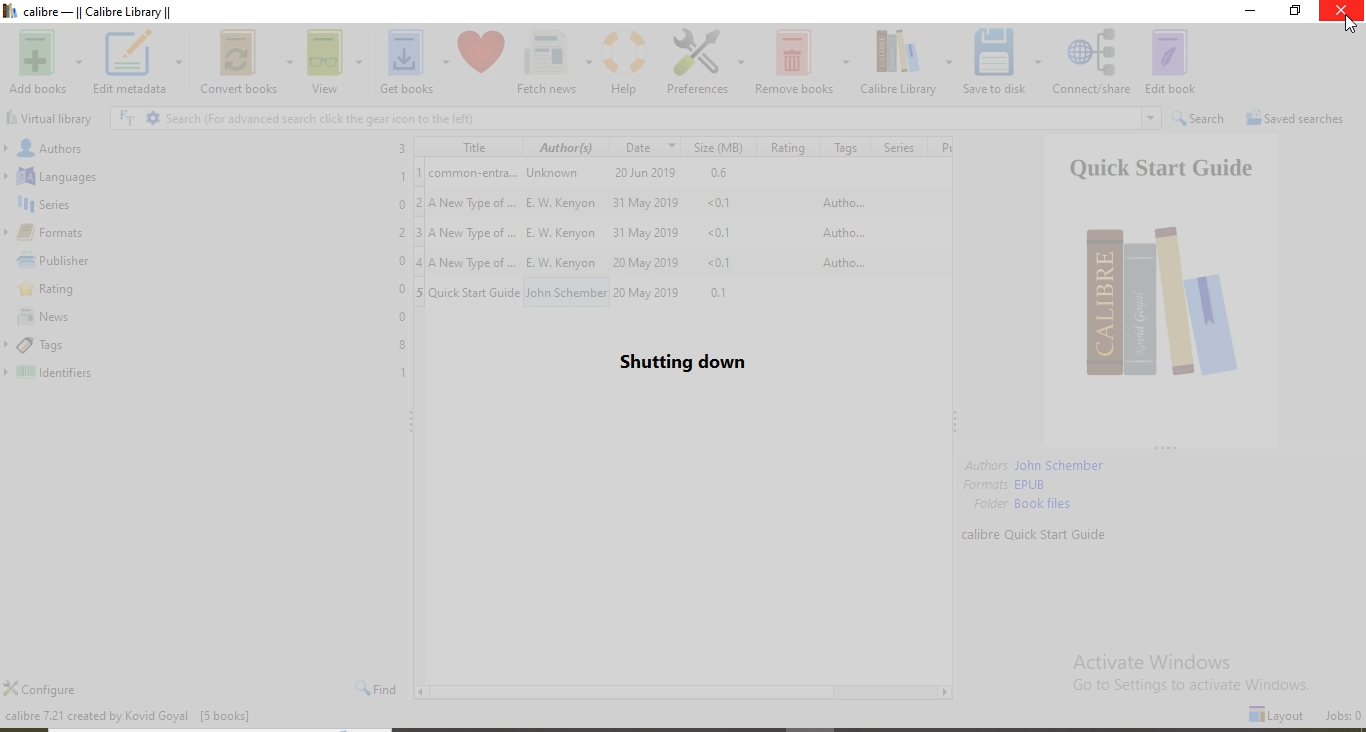 The image size is (1366, 732). I want to click on Help, so click(627, 63).